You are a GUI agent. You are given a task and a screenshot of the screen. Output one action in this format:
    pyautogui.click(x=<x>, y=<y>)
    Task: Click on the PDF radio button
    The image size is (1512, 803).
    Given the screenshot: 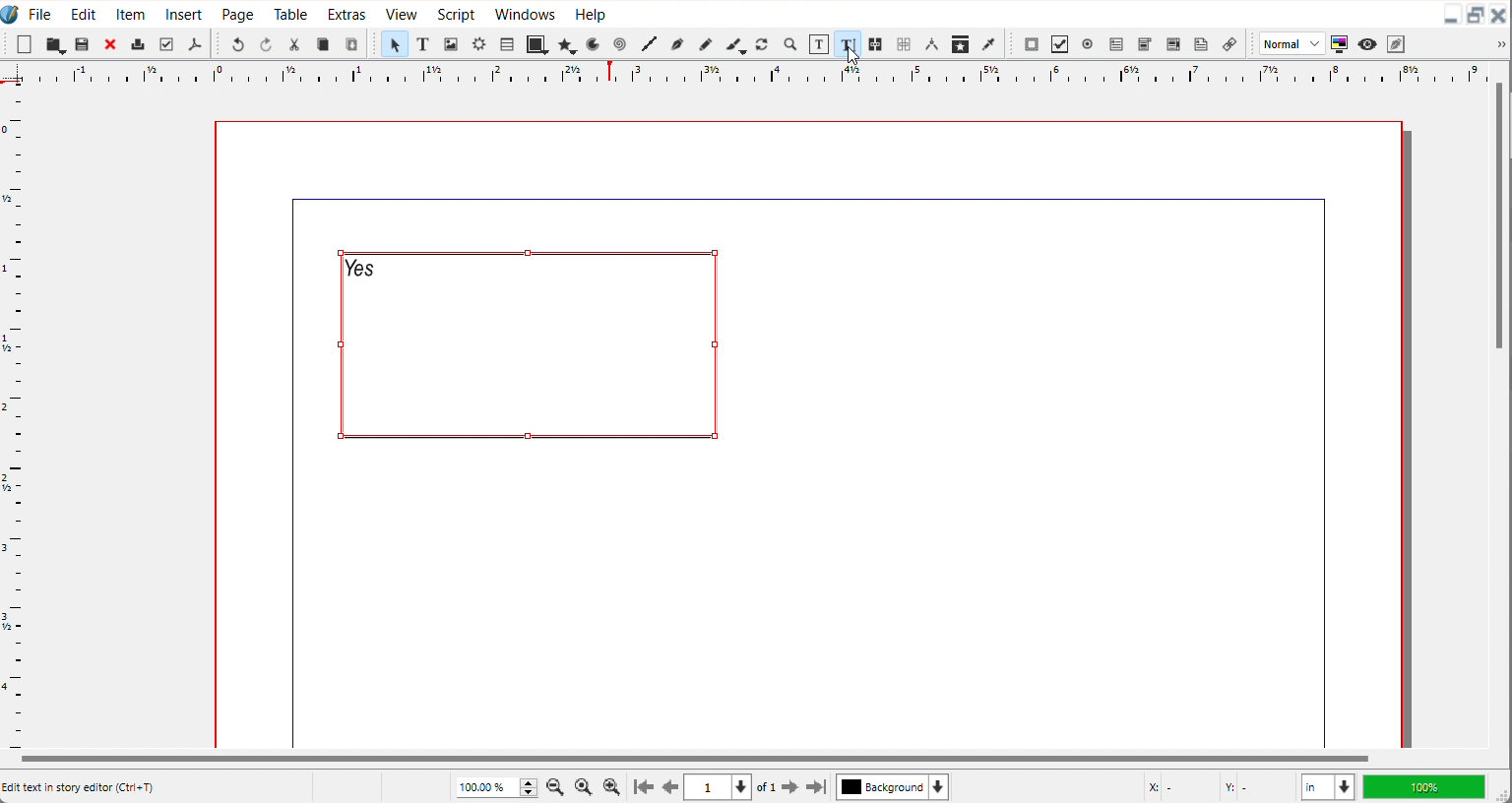 What is the action you would take?
    pyautogui.click(x=1087, y=44)
    